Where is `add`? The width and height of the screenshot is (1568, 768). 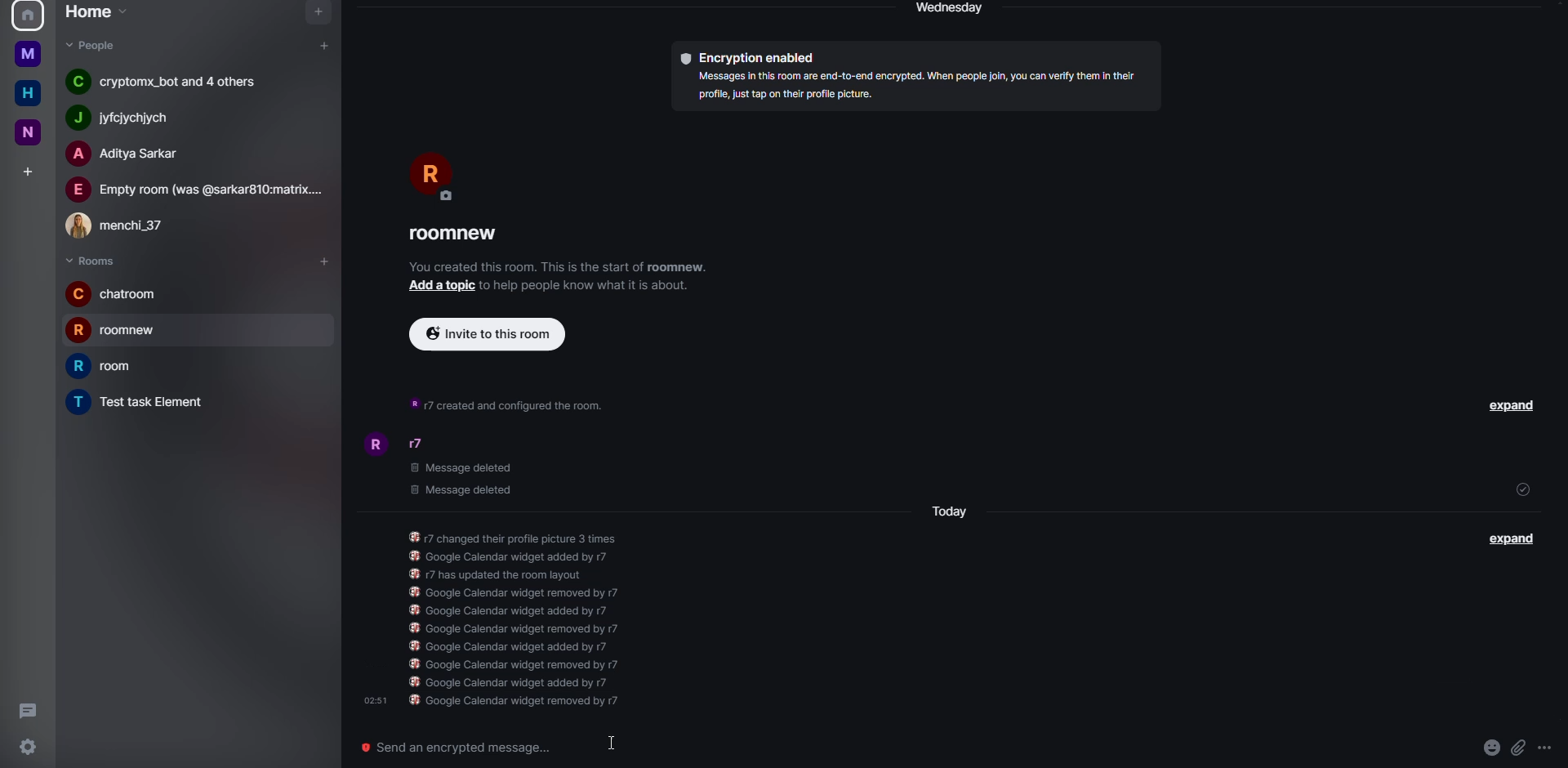 add is located at coordinates (28, 169).